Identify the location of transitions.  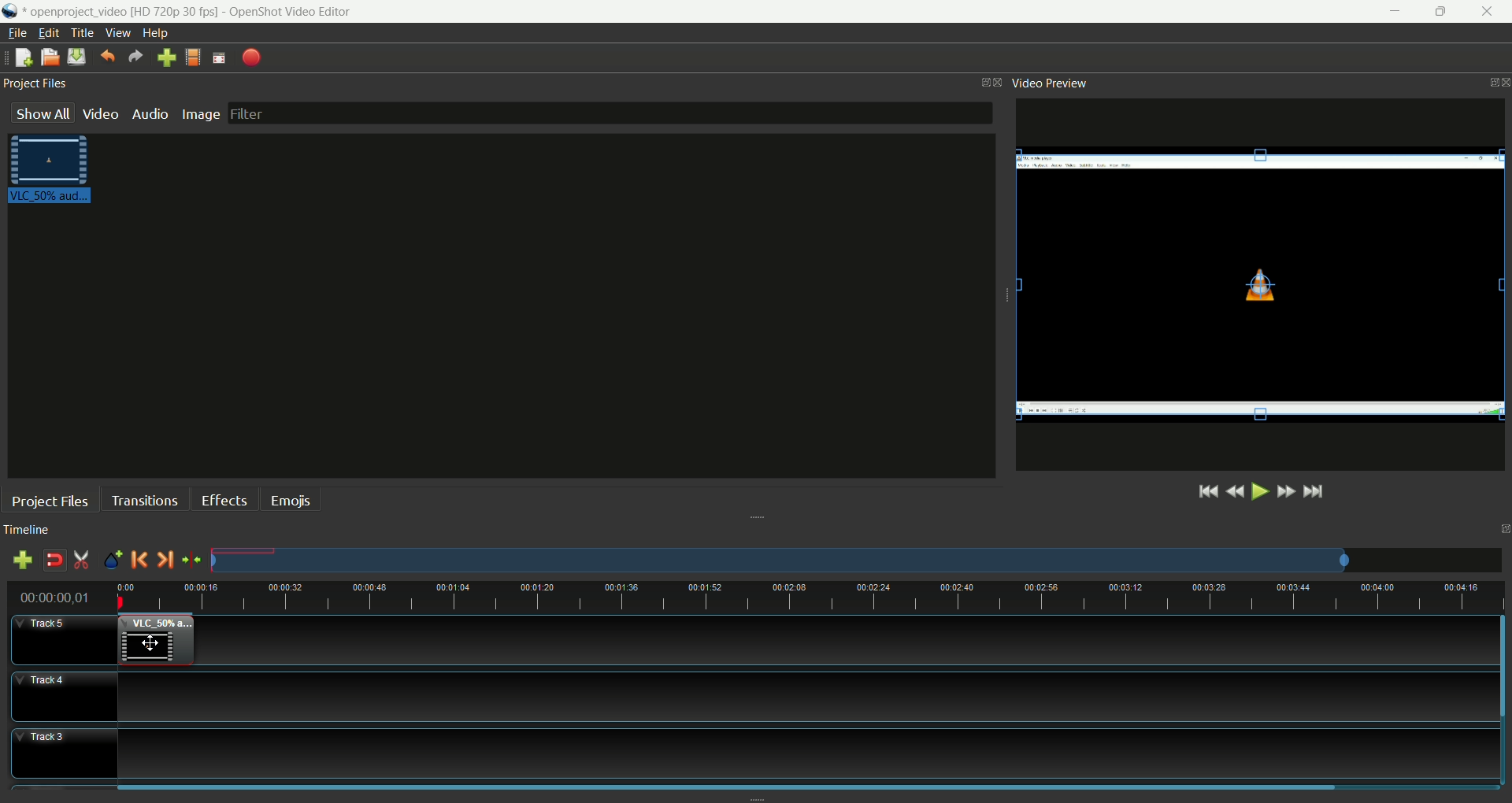
(143, 498).